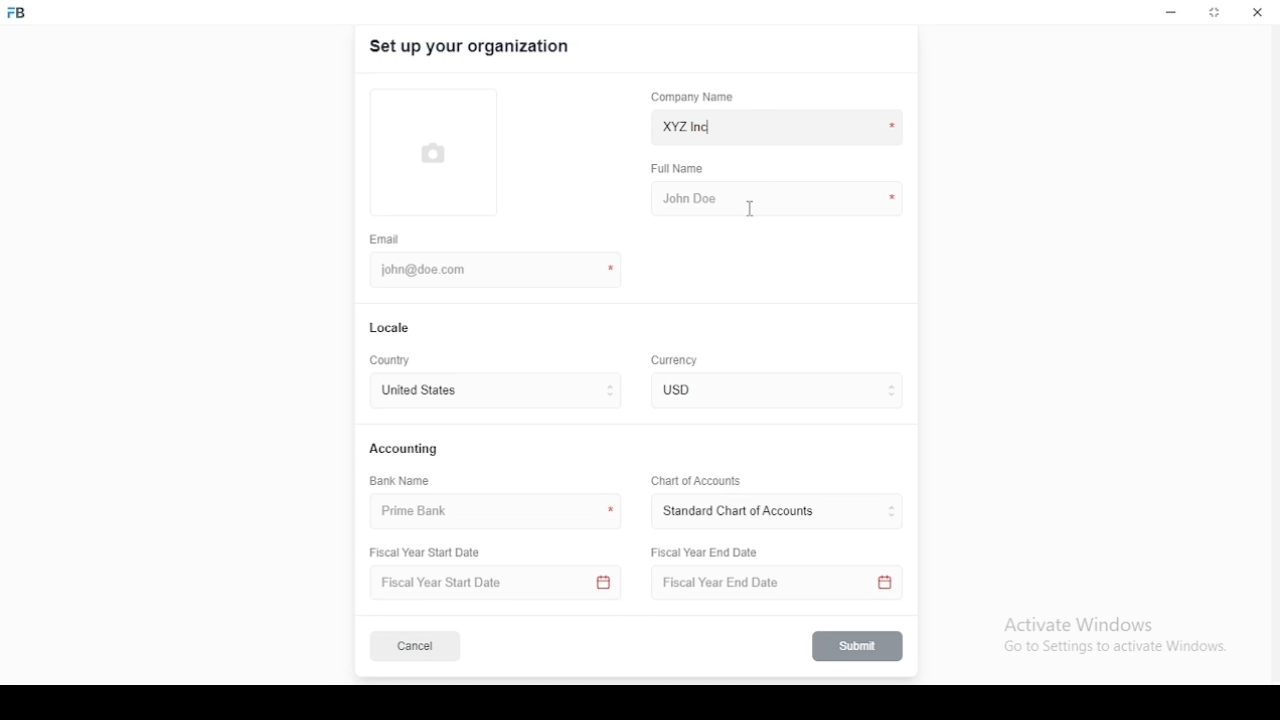 Image resolution: width=1280 pixels, height=720 pixels. What do you see at coordinates (432, 553) in the screenshot?
I see `Fiscal Year Start Date` at bounding box center [432, 553].